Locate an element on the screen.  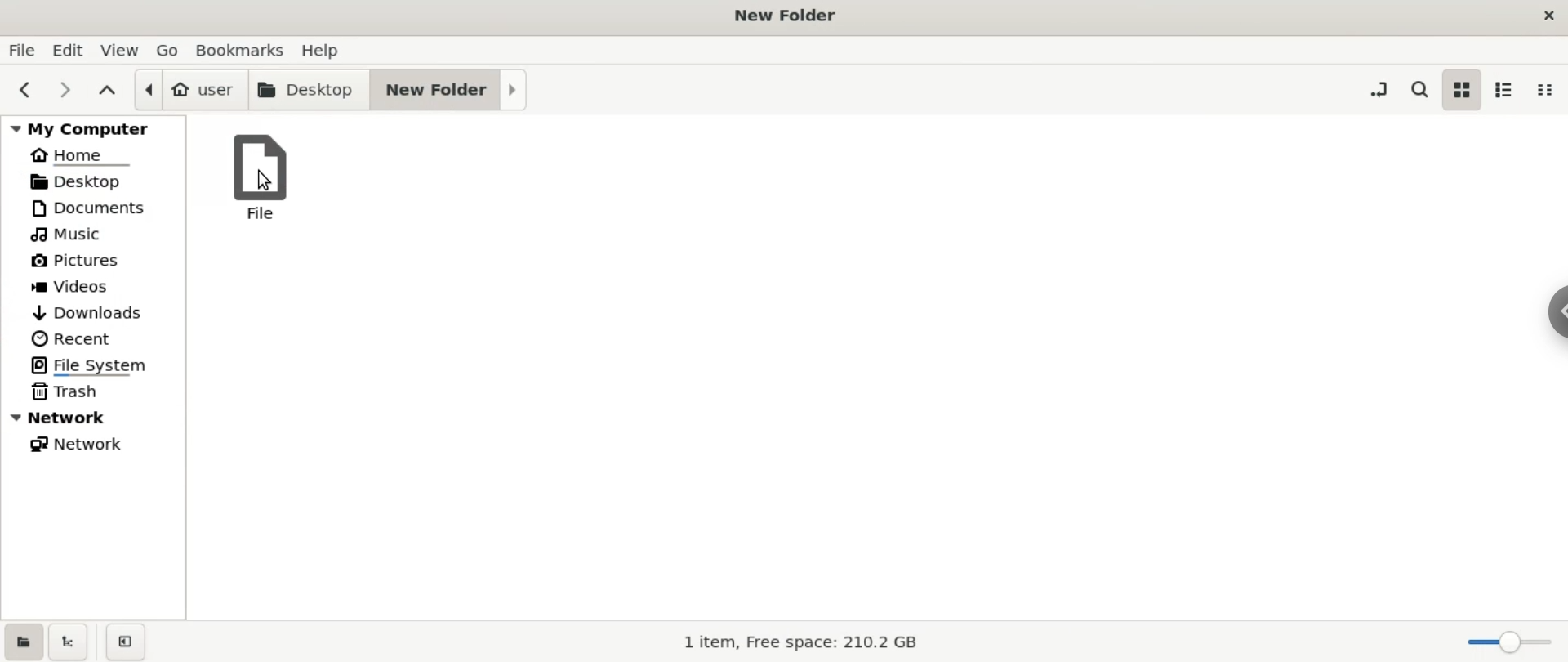
file is located at coordinates (261, 179).